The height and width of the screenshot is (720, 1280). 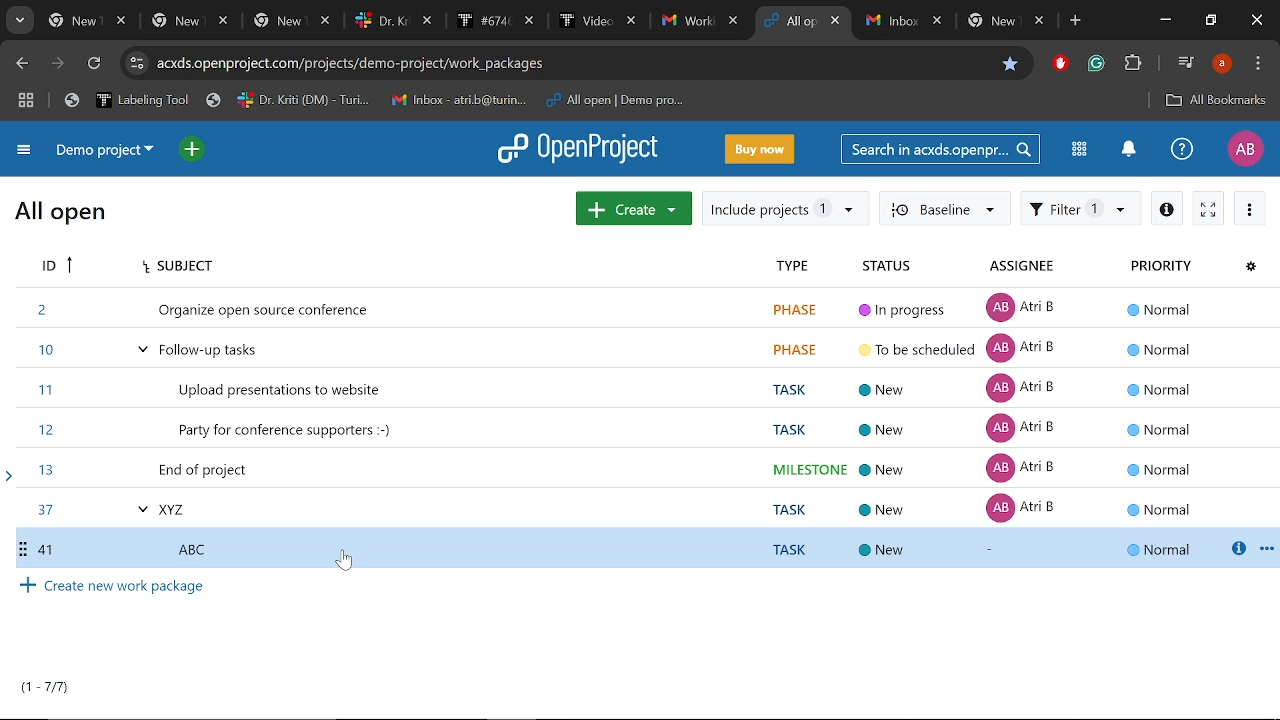 I want to click on Refresh, so click(x=93, y=64).